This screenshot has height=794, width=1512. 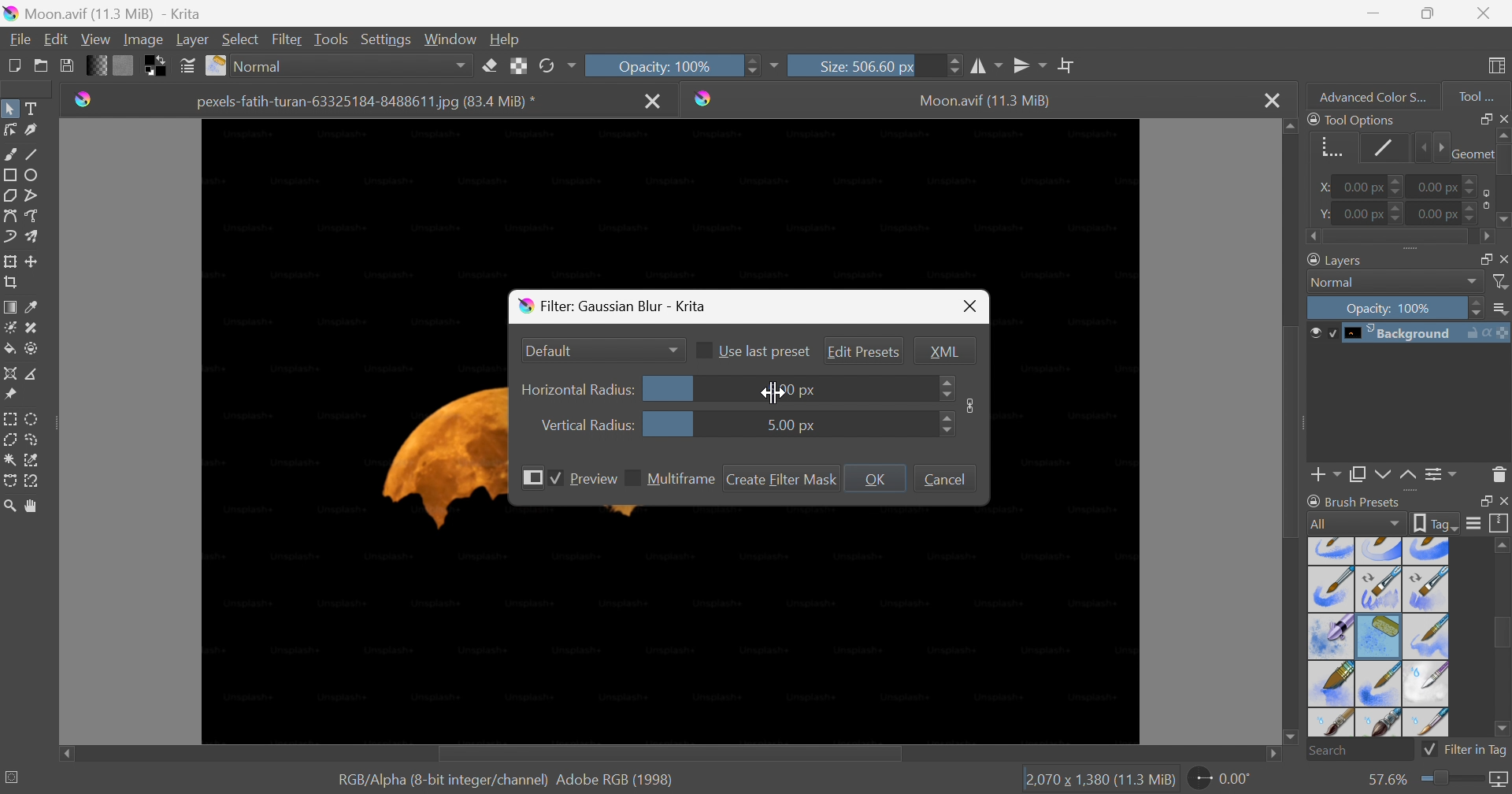 What do you see at coordinates (986, 102) in the screenshot?
I see `Moon.avif (11.3 MiB)` at bounding box center [986, 102].